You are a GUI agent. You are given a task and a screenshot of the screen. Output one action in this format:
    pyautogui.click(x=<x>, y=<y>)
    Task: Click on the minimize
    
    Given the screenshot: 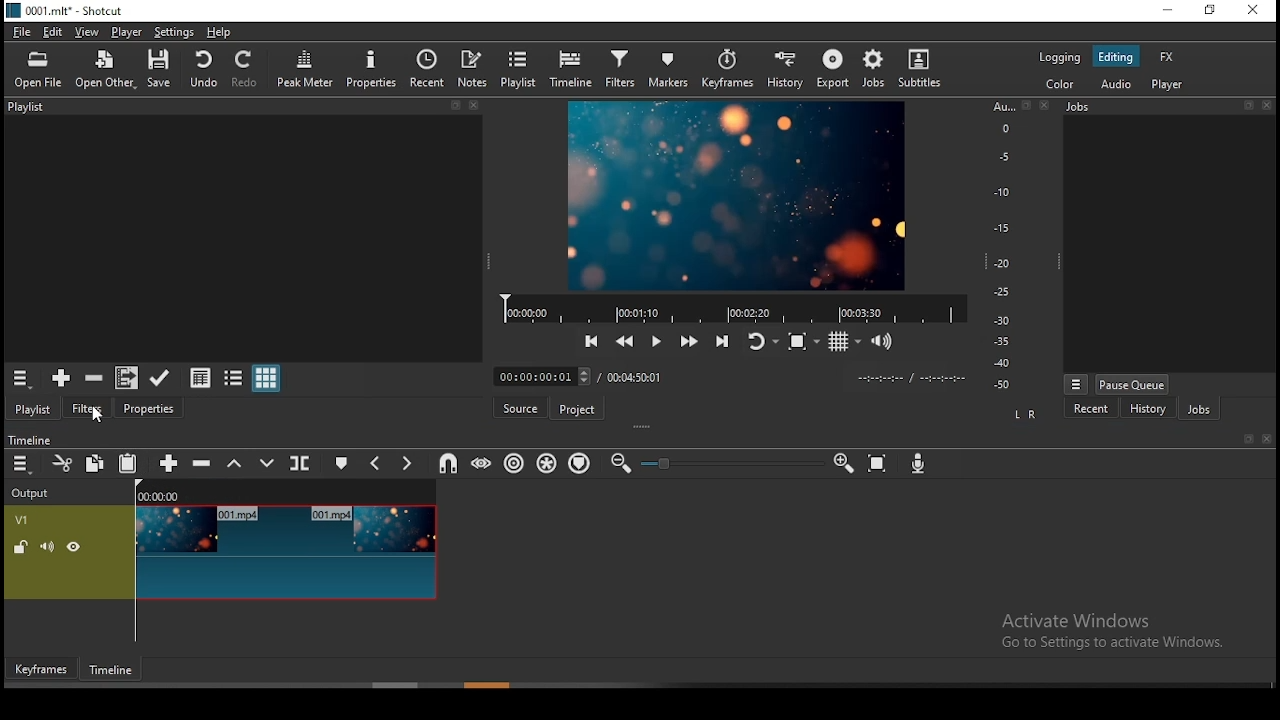 What is the action you would take?
    pyautogui.click(x=1171, y=11)
    